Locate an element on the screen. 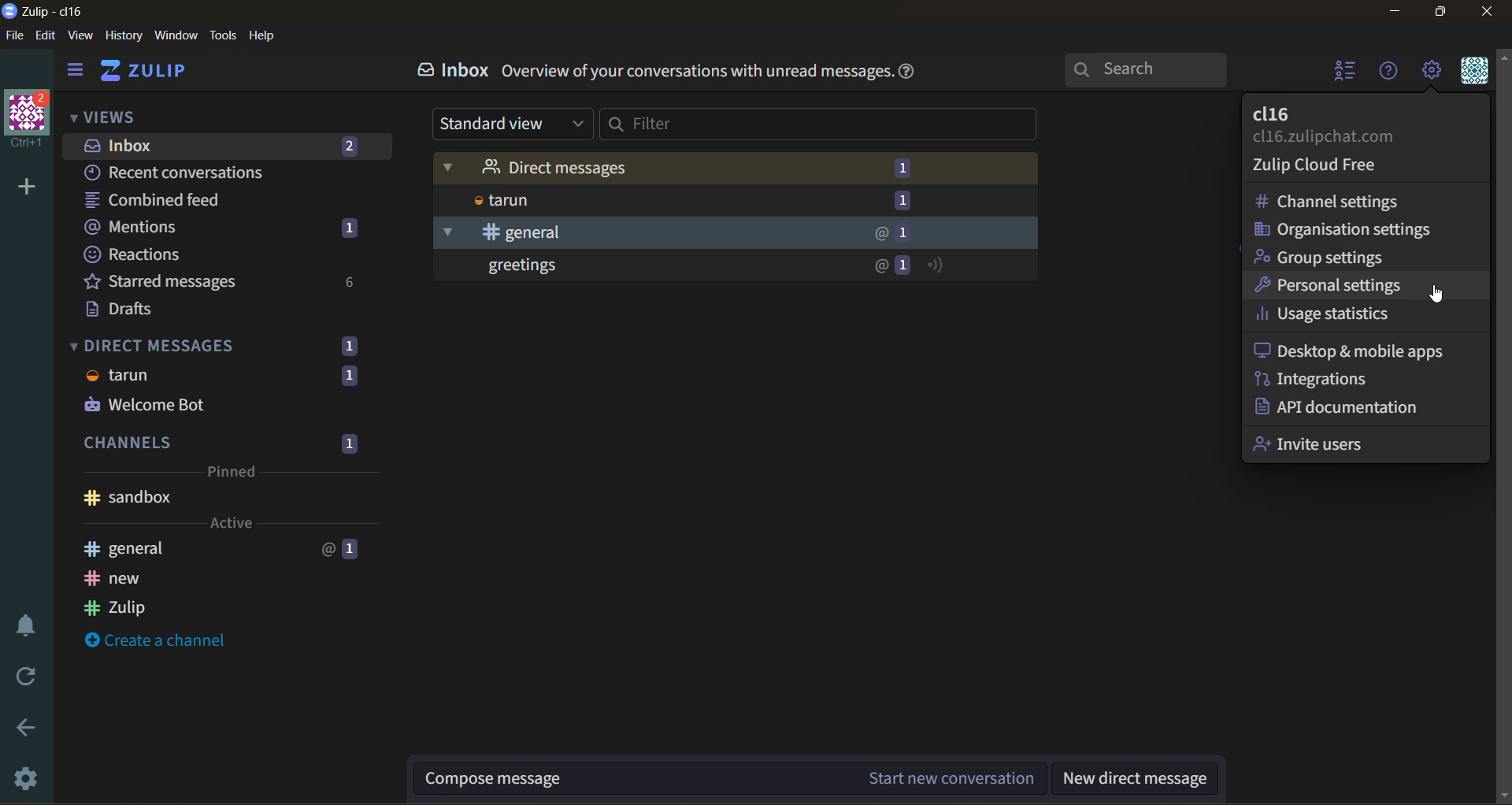 The image size is (1512, 805). active is located at coordinates (232, 523).